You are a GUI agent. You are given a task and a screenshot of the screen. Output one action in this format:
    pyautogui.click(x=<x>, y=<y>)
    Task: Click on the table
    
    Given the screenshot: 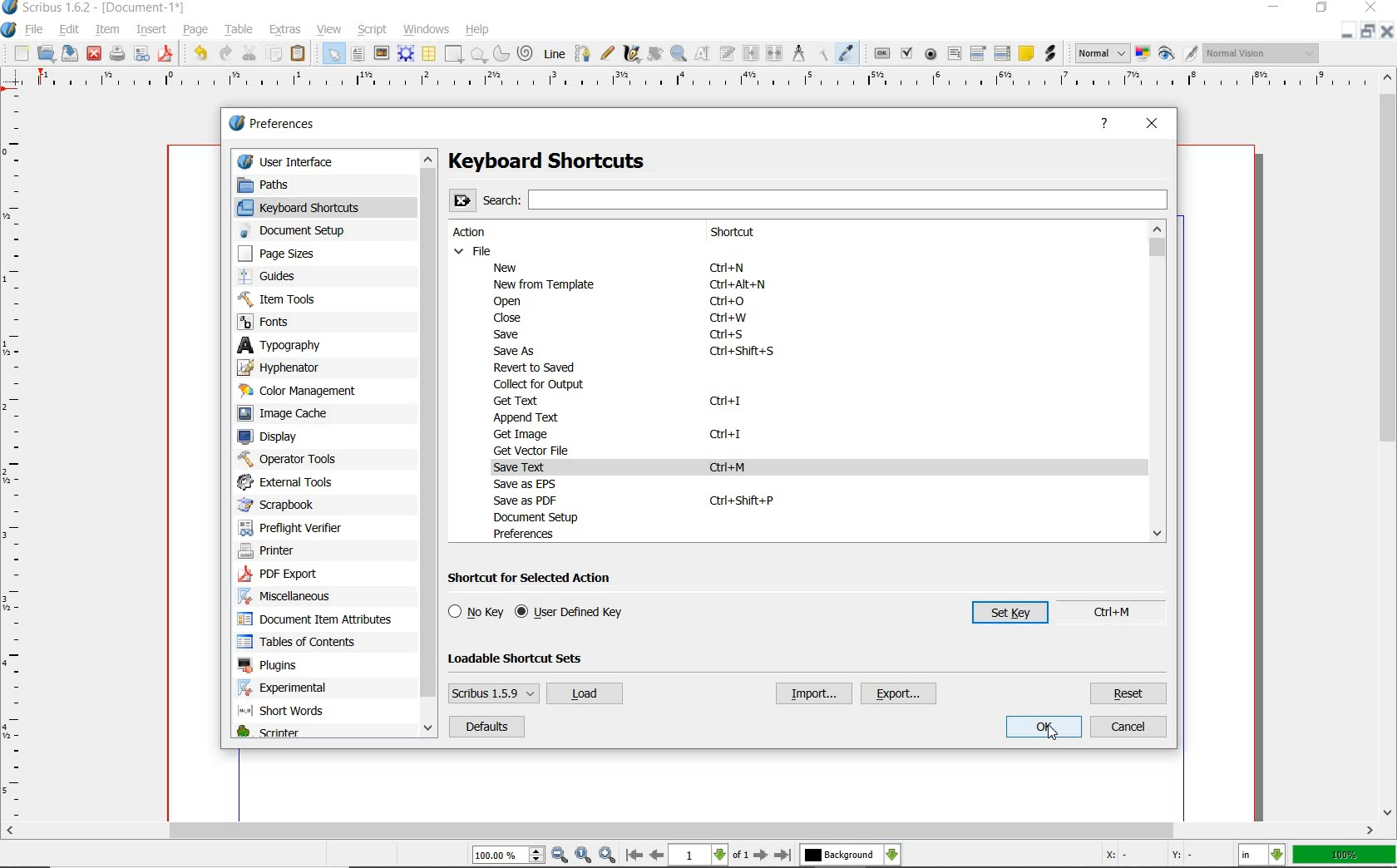 What is the action you would take?
    pyautogui.click(x=430, y=55)
    